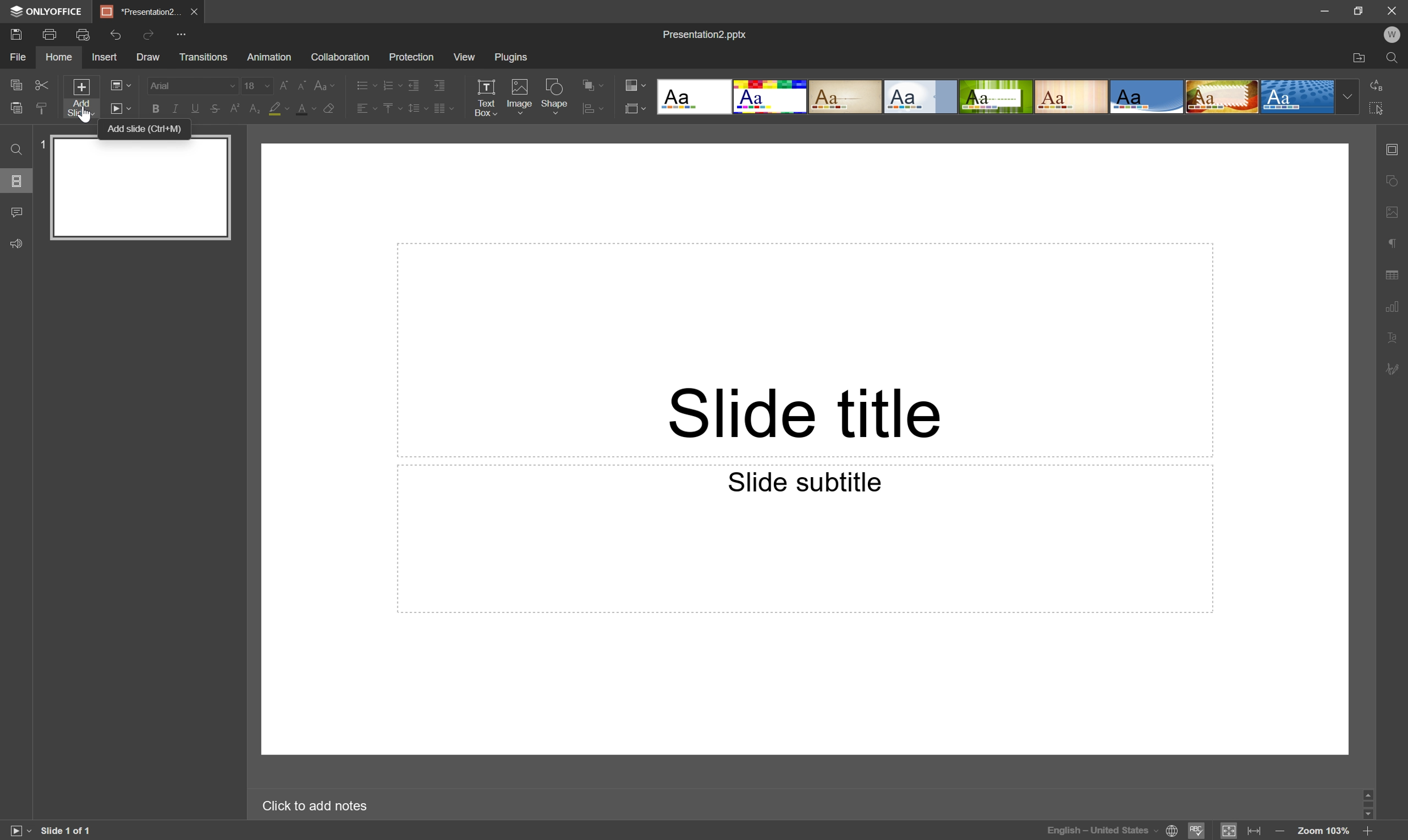 The height and width of the screenshot is (840, 1408). I want to click on Slide settings, so click(1396, 147).